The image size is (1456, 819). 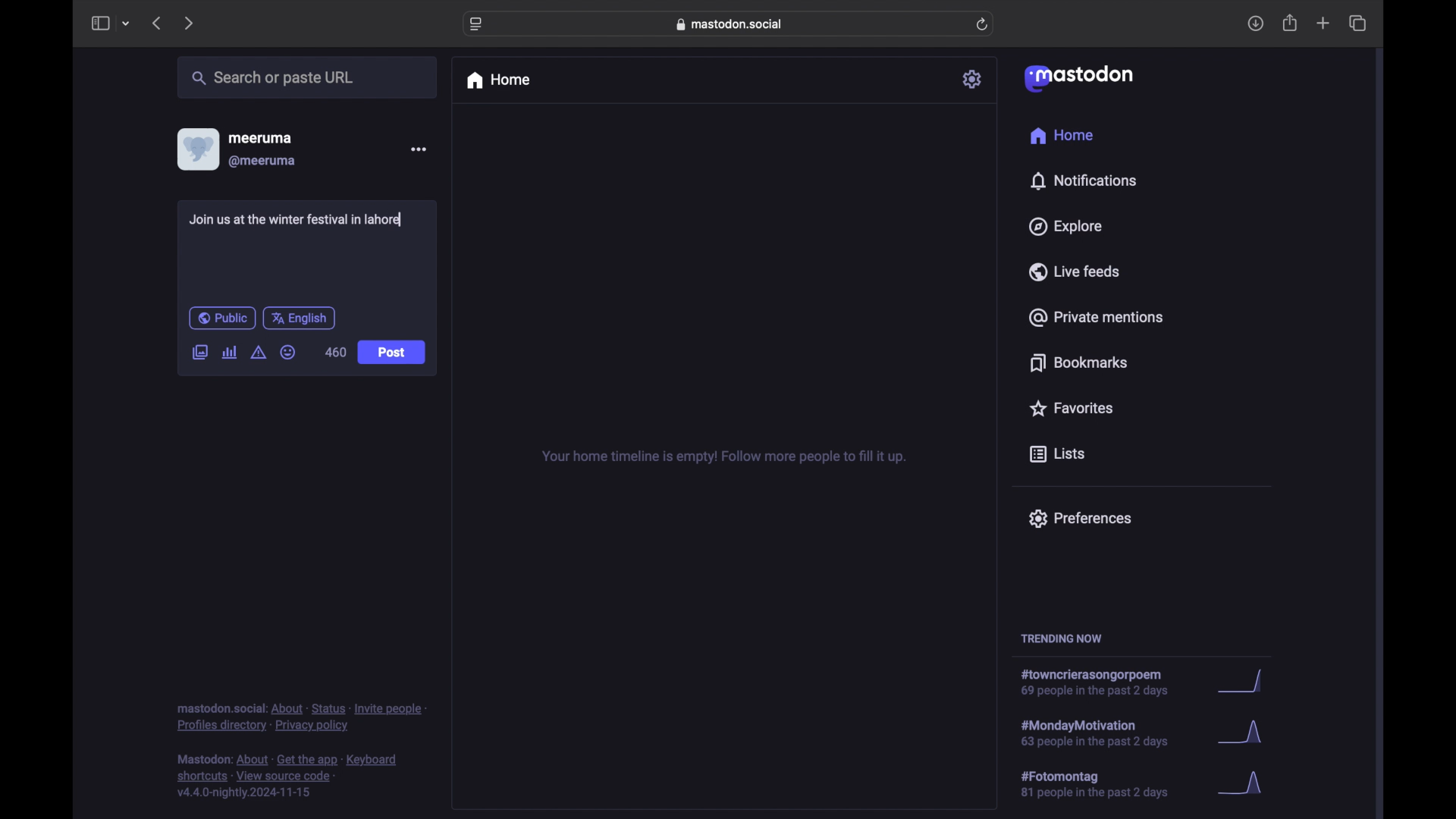 I want to click on home, so click(x=497, y=80).